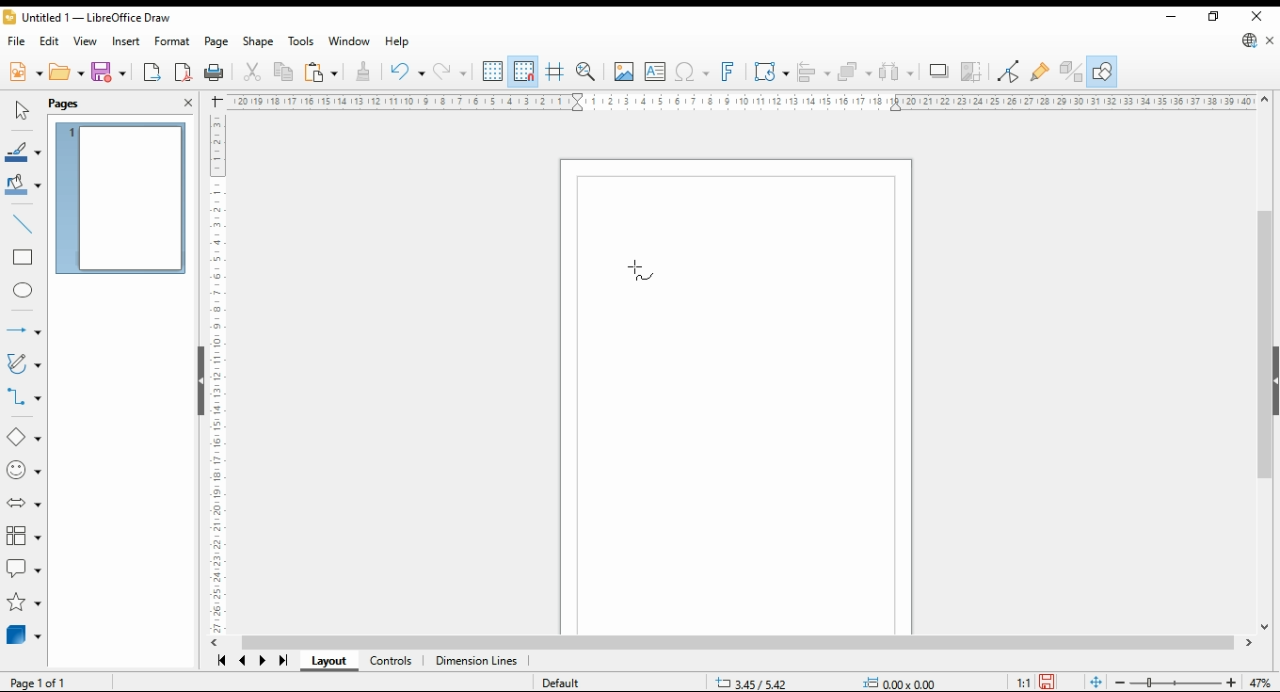 This screenshot has width=1280, height=692. Describe the element at coordinates (22, 330) in the screenshot. I see `lines and arrows` at that location.